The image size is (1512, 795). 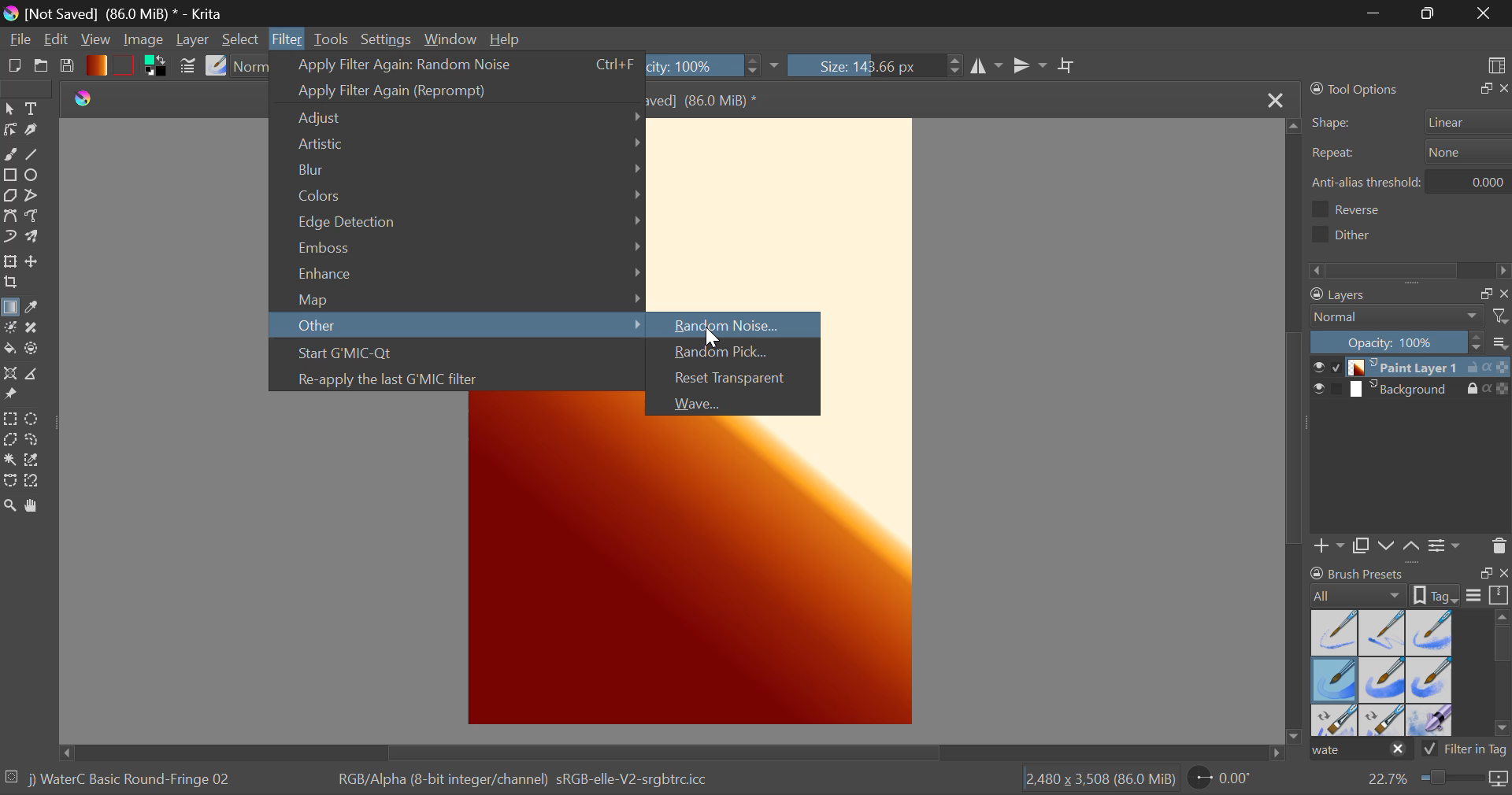 What do you see at coordinates (987, 68) in the screenshot?
I see `Vertical Mirror Flip` at bounding box center [987, 68].